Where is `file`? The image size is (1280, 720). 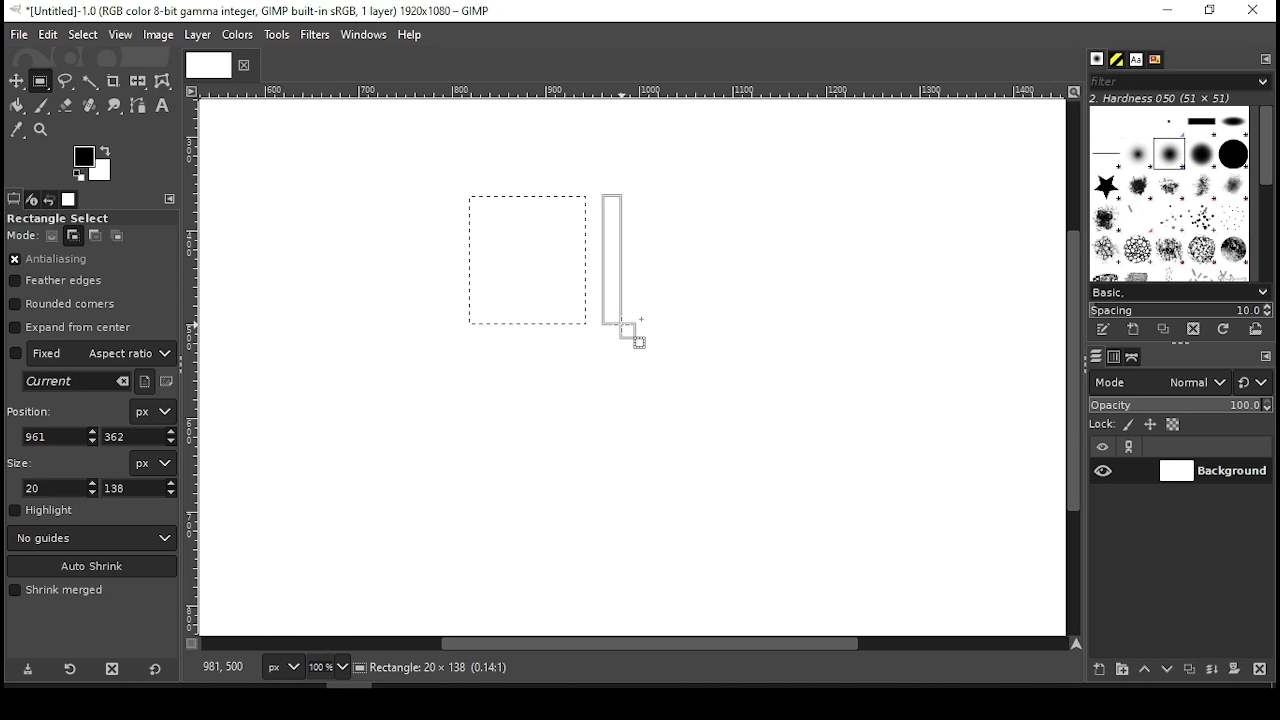
file is located at coordinates (19, 35).